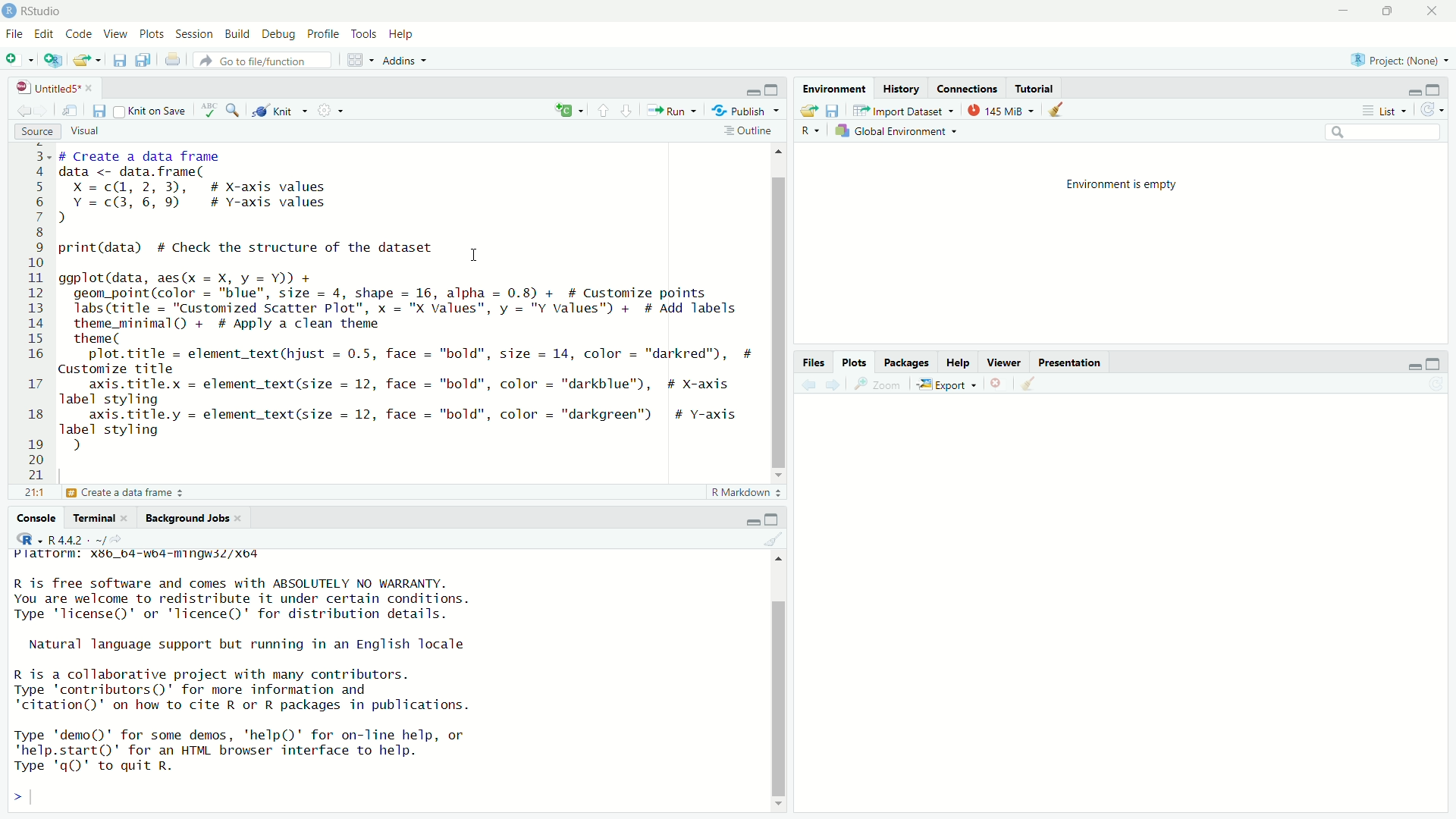 Image resolution: width=1456 pixels, height=819 pixels. What do you see at coordinates (833, 111) in the screenshot?
I see `Save file` at bounding box center [833, 111].